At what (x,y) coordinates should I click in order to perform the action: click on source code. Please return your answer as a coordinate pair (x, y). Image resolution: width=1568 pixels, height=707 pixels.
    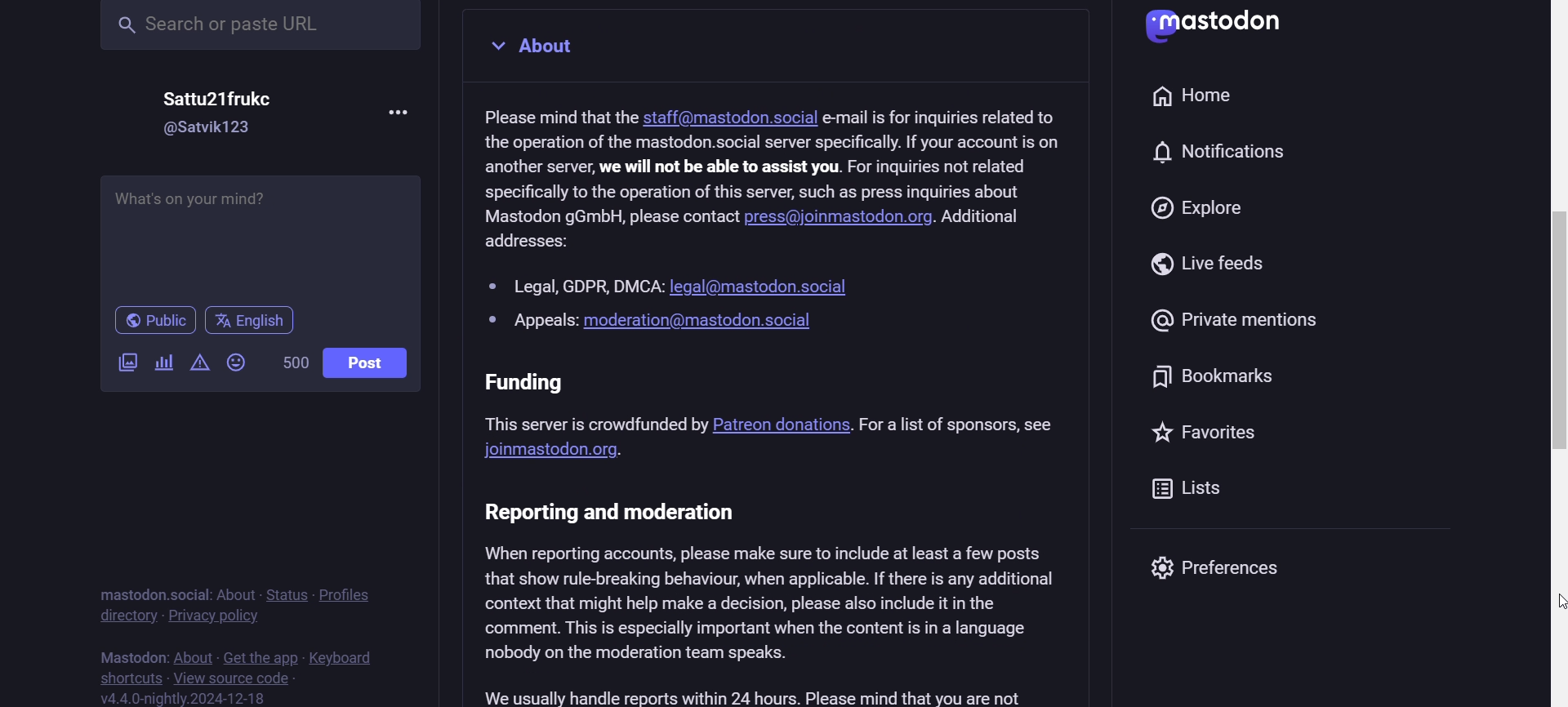
    Looking at the image, I should click on (238, 676).